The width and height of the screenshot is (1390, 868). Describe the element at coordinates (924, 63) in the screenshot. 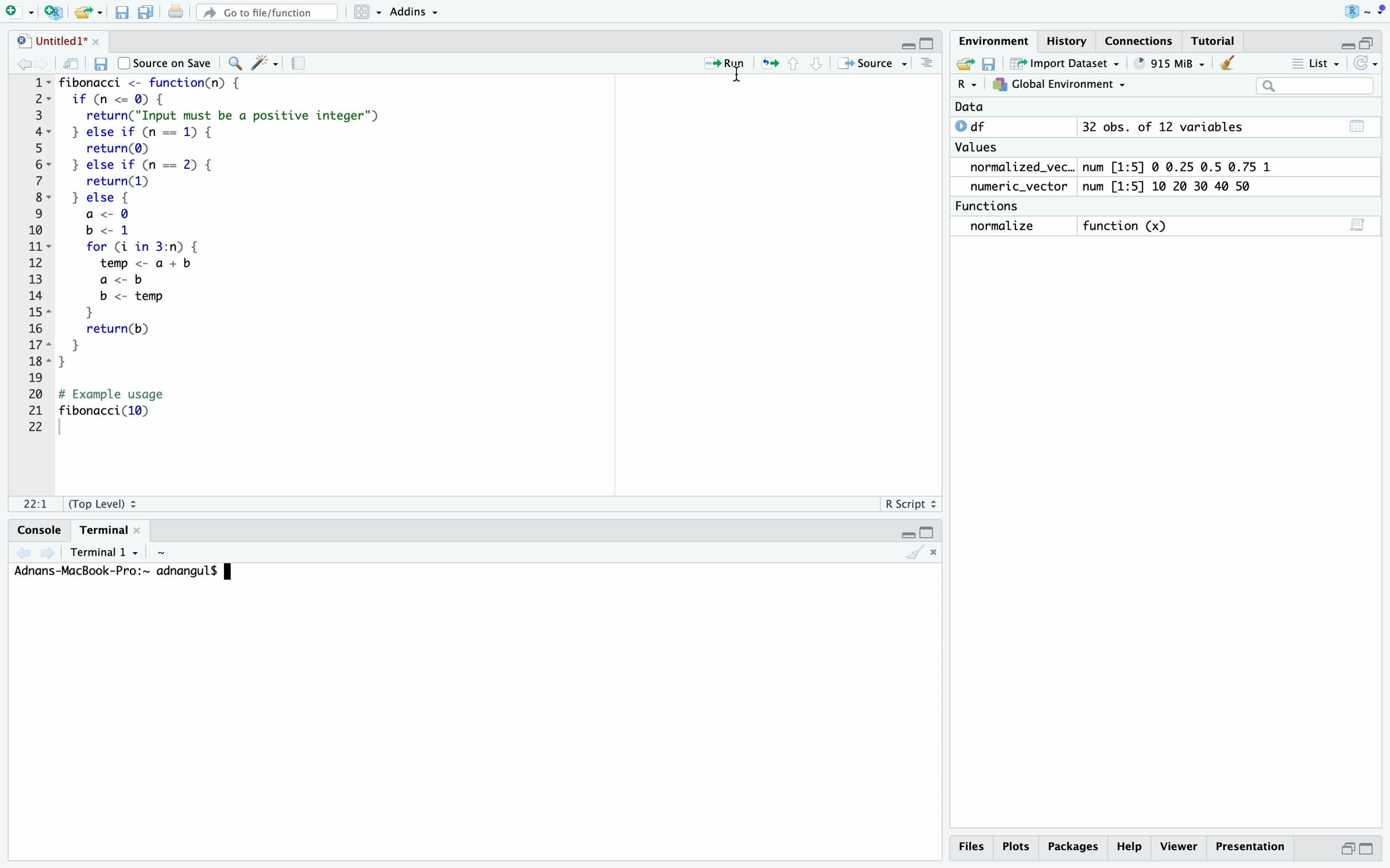

I see `clear console` at that location.